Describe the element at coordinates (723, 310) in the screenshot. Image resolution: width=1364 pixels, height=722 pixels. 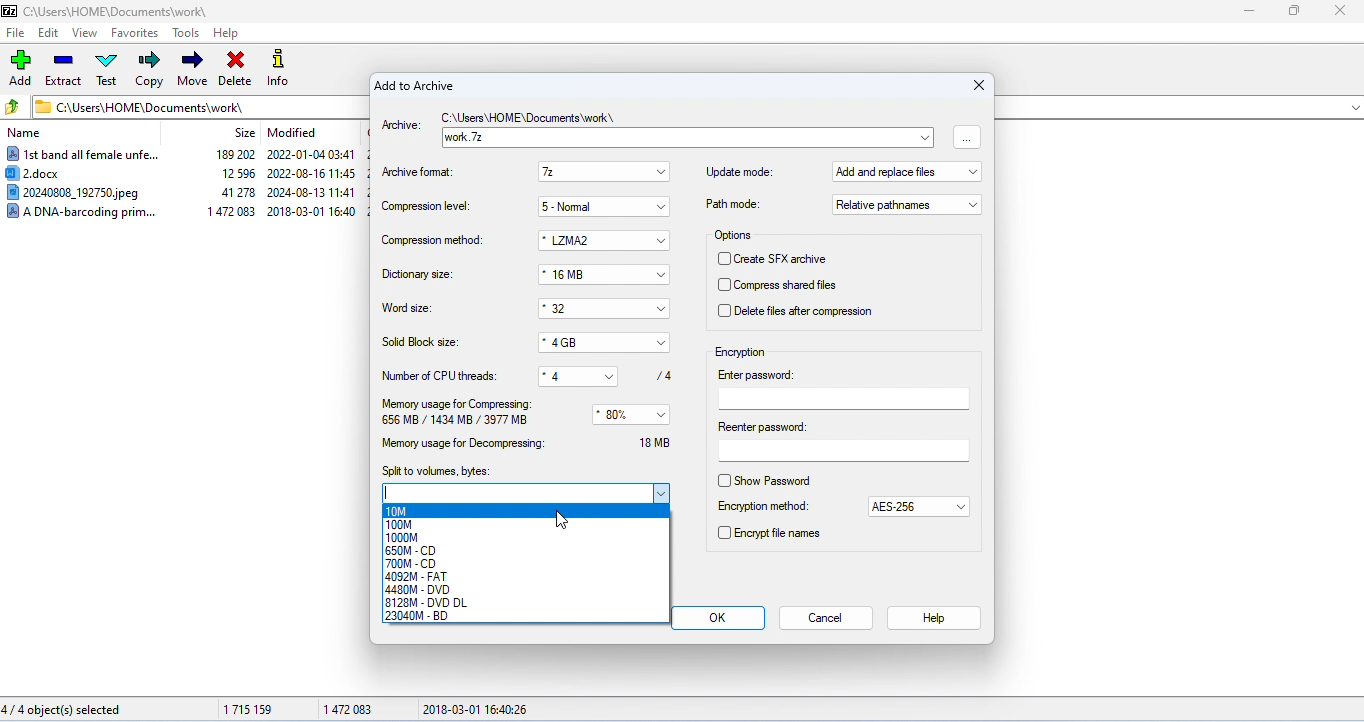
I see `checkbox` at that location.